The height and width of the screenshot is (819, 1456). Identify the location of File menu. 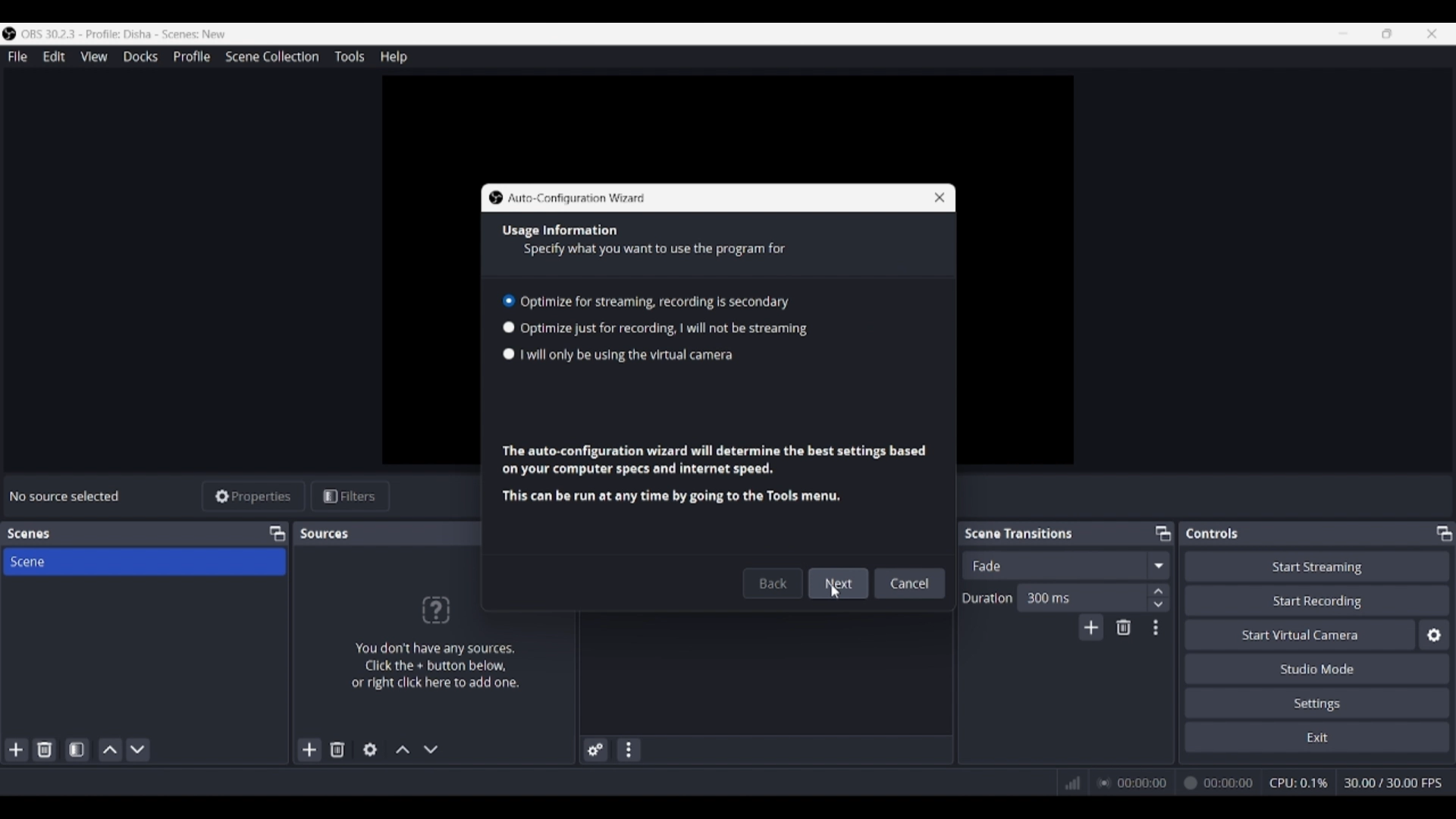
(17, 56).